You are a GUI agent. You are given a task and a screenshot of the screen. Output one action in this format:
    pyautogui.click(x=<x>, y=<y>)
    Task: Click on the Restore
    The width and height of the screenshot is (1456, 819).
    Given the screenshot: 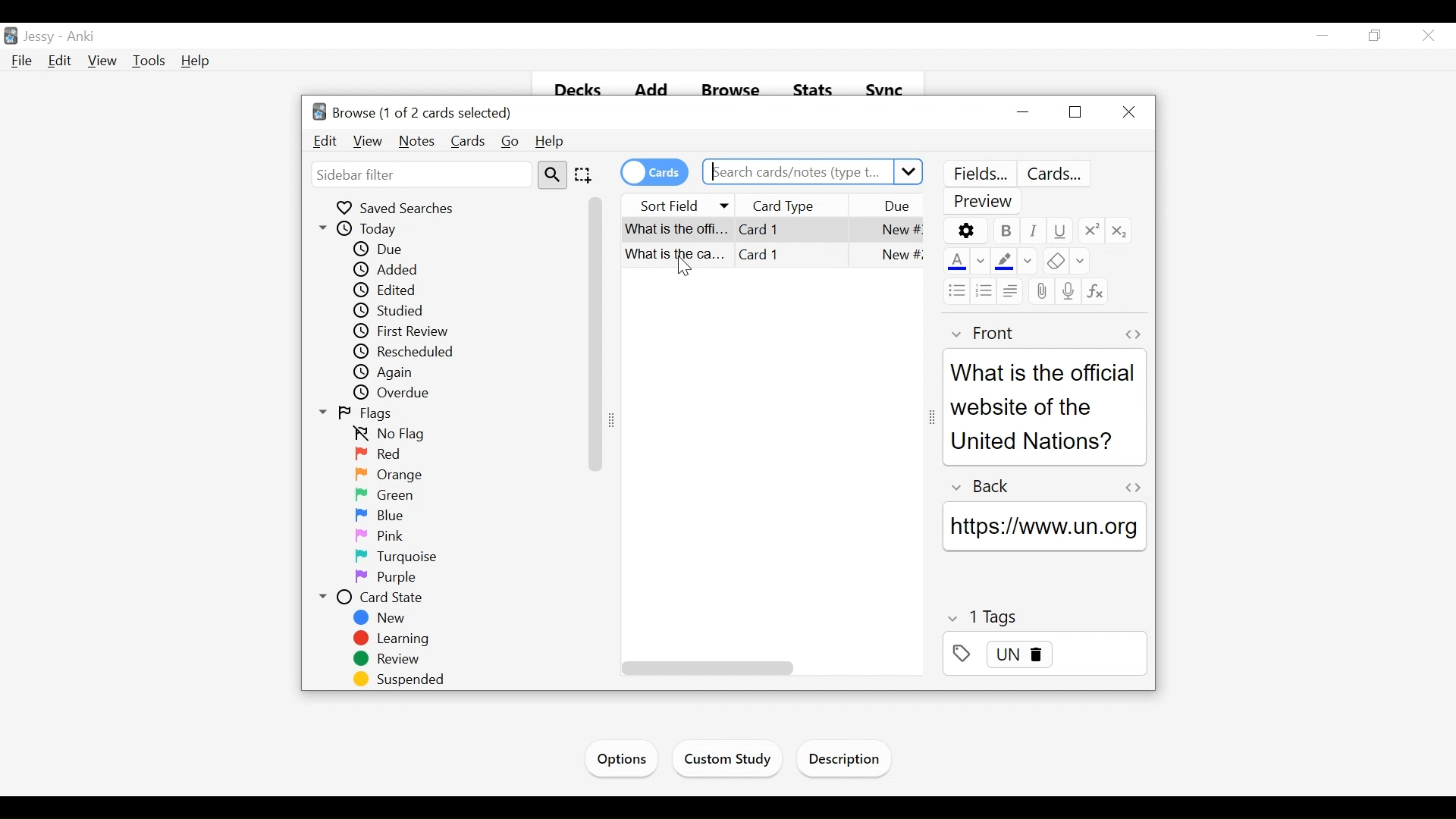 What is the action you would take?
    pyautogui.click(x=1376, y=36)
    